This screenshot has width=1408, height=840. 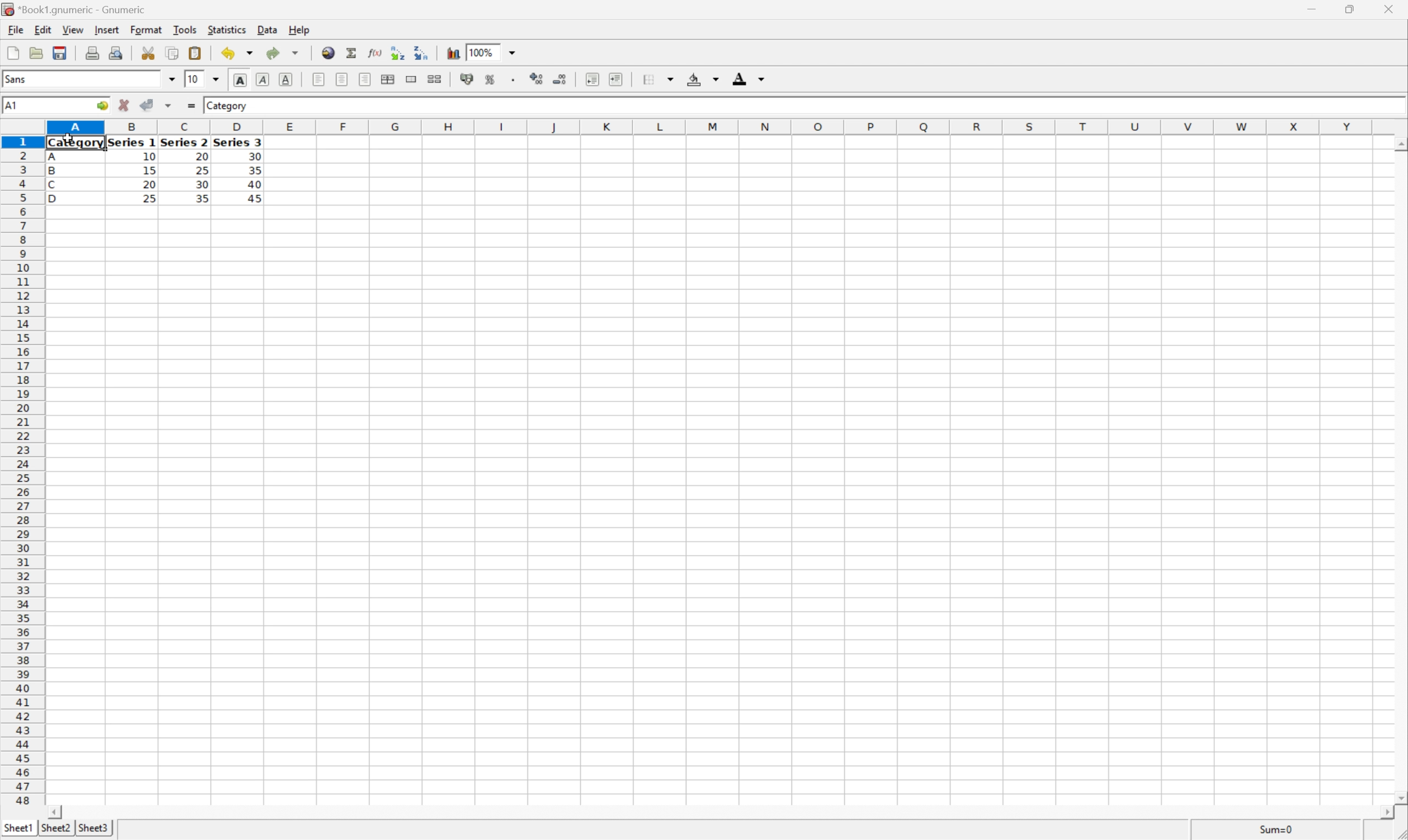 I want to click on File, so click(x=16, y=29).